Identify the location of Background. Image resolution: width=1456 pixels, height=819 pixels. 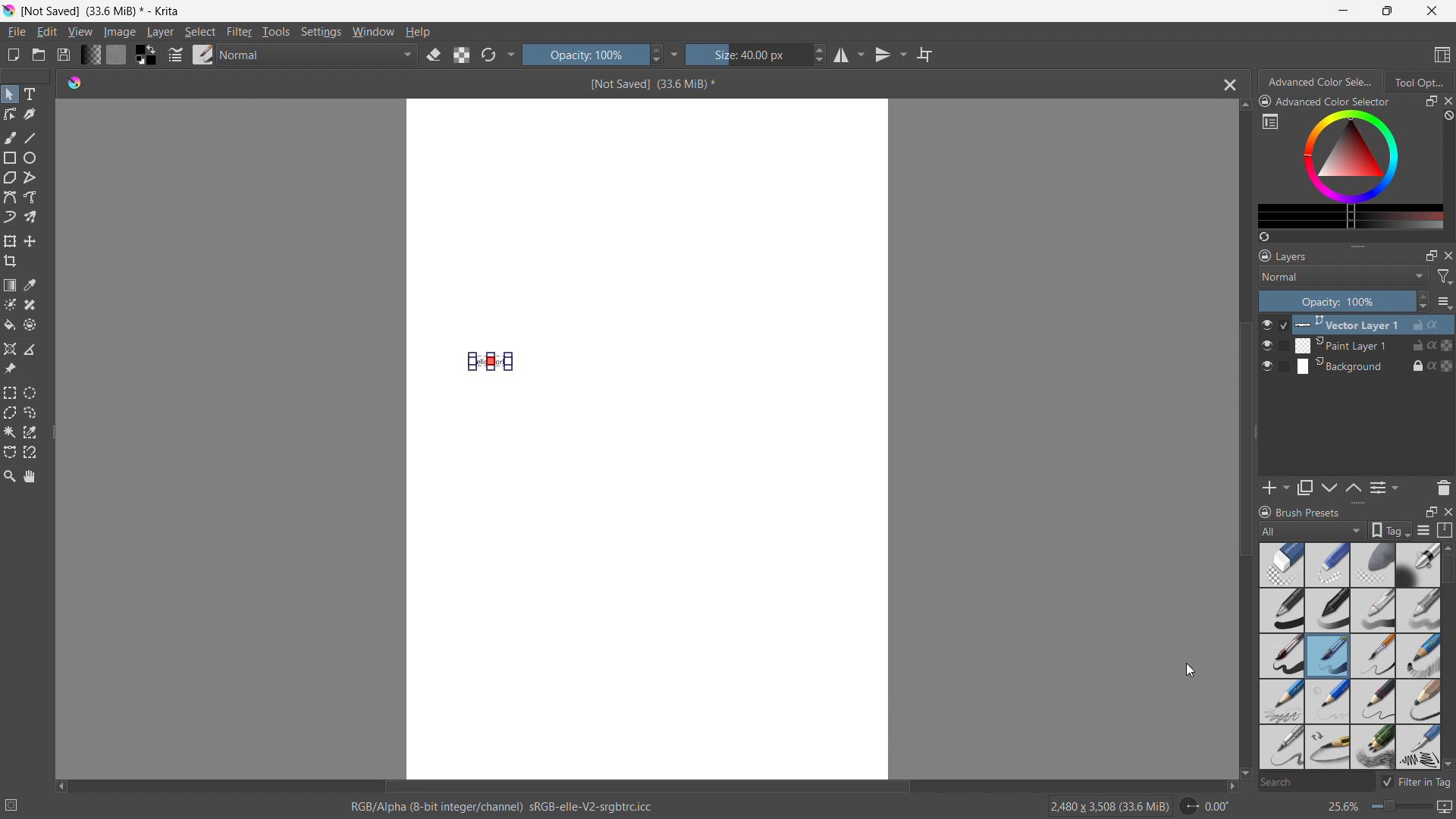
(1365, 366).